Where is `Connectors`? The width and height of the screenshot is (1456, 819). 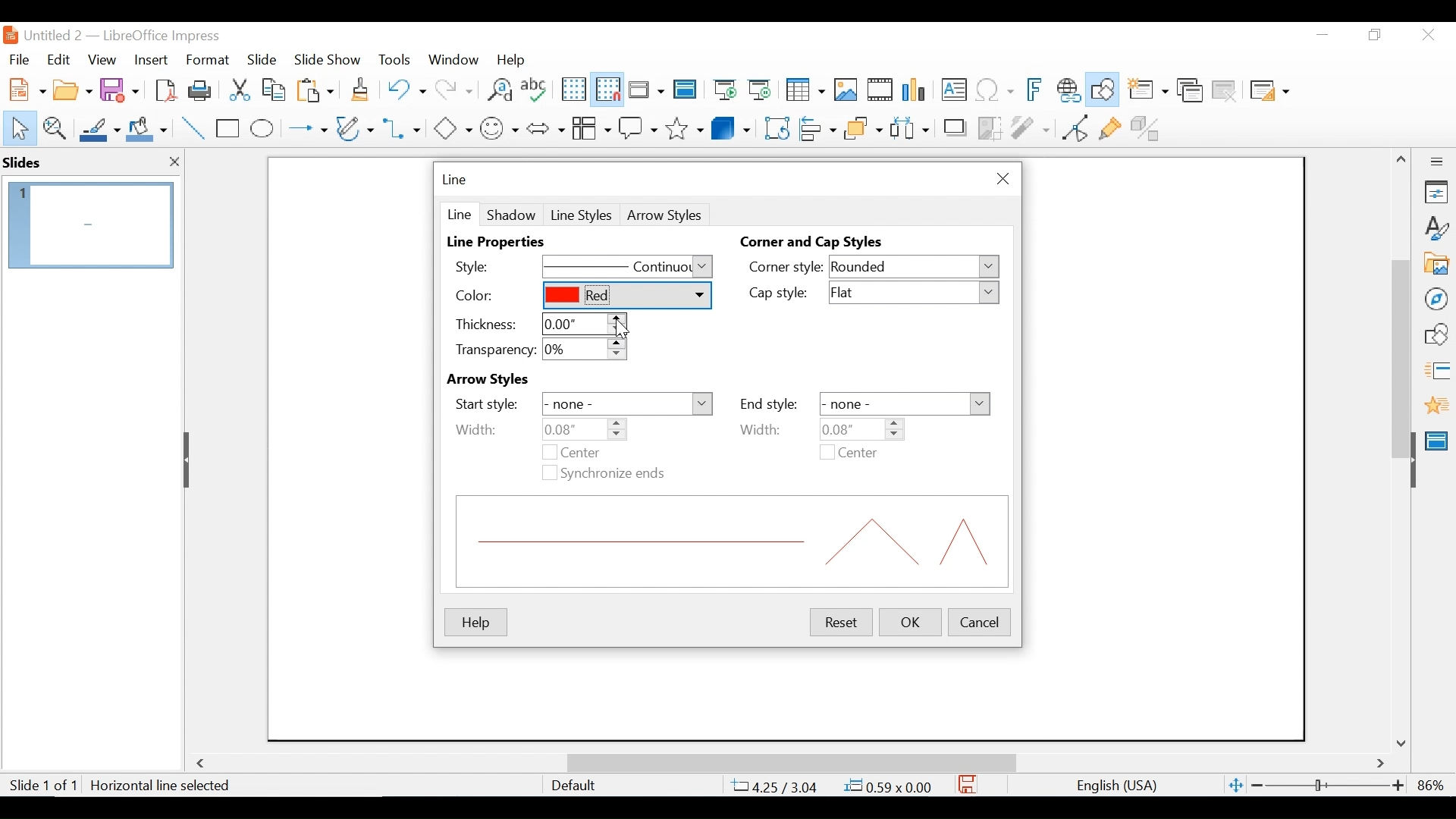 Connectors is located at coordinates (403, 128).